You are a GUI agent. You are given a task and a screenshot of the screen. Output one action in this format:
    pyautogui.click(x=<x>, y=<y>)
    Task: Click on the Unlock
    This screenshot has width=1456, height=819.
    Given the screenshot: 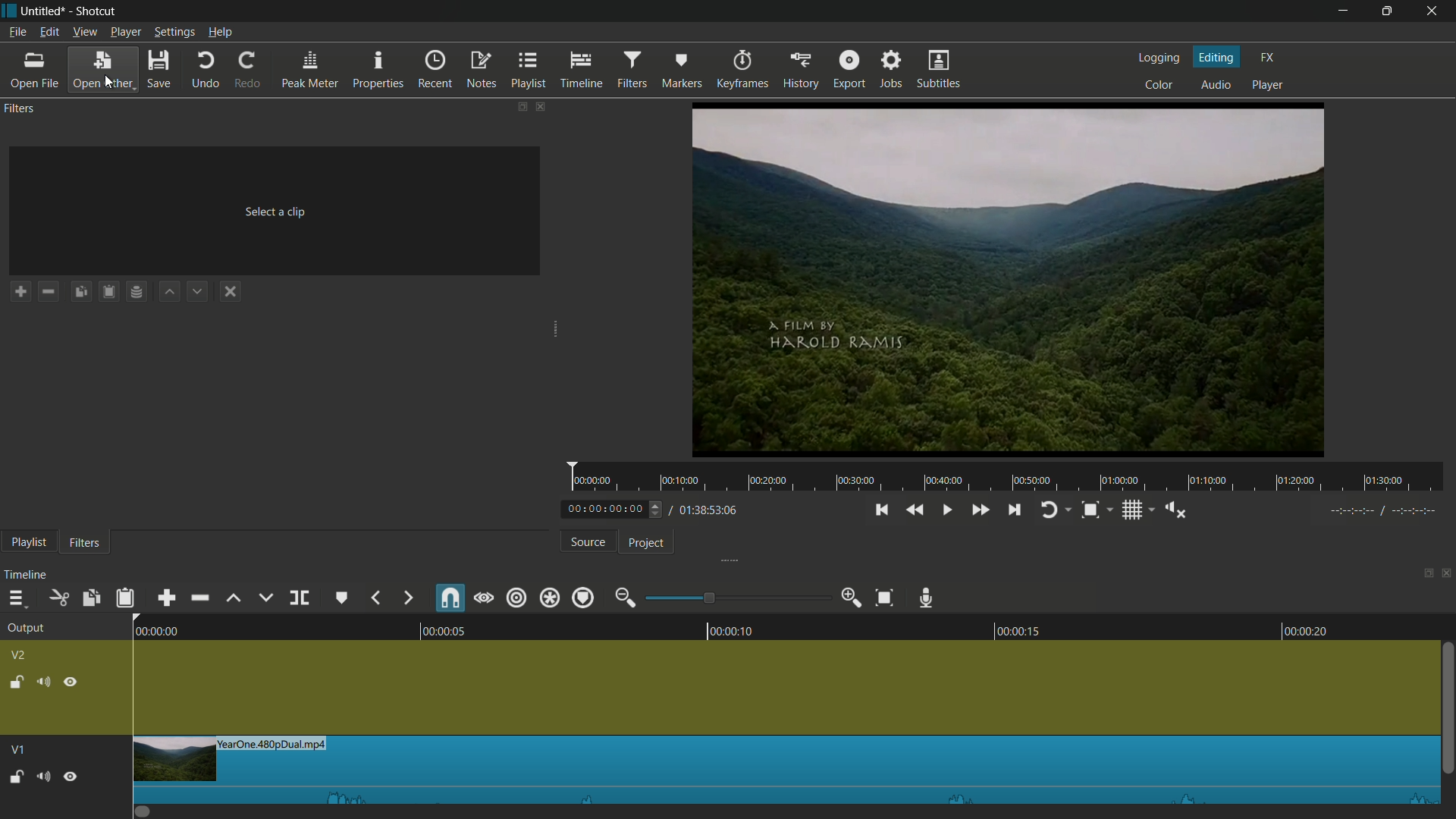 What is the action you would take?
    pyautogui.click(x=16, y=777)
    